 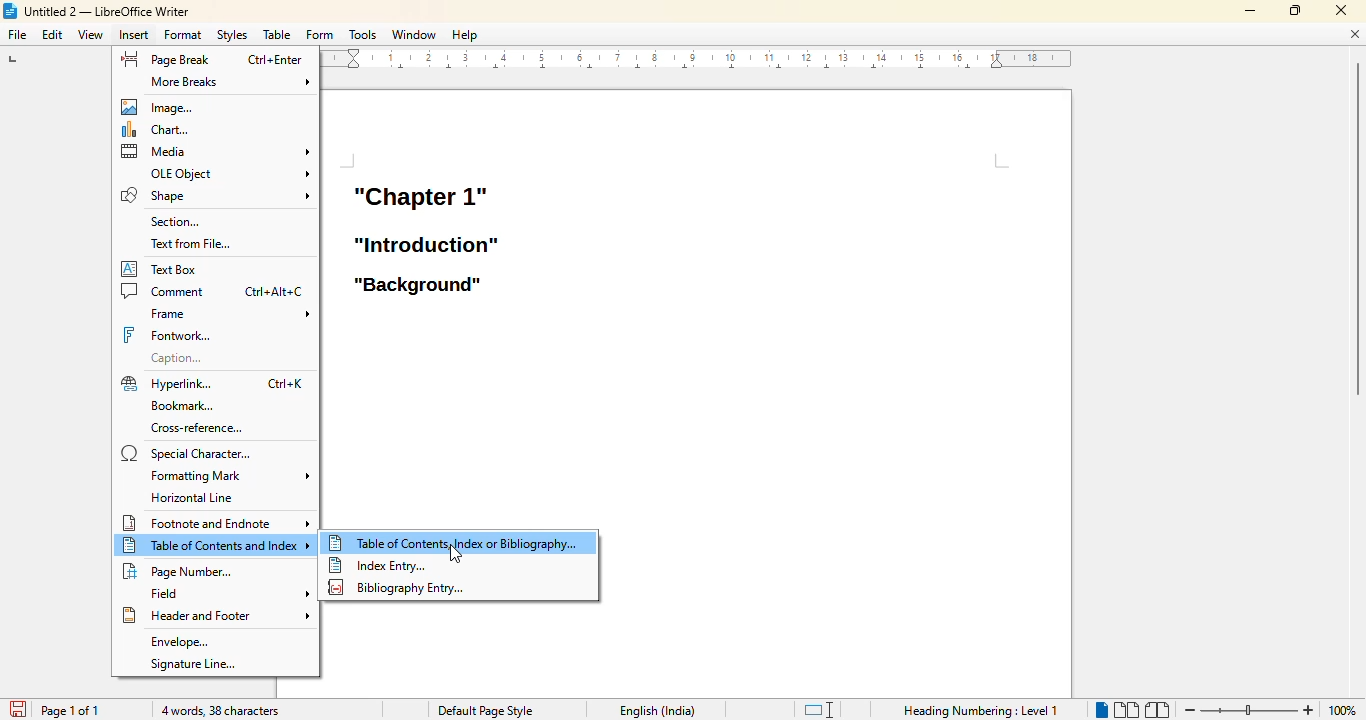 I want to click on caption, so click(x=174, y=358).